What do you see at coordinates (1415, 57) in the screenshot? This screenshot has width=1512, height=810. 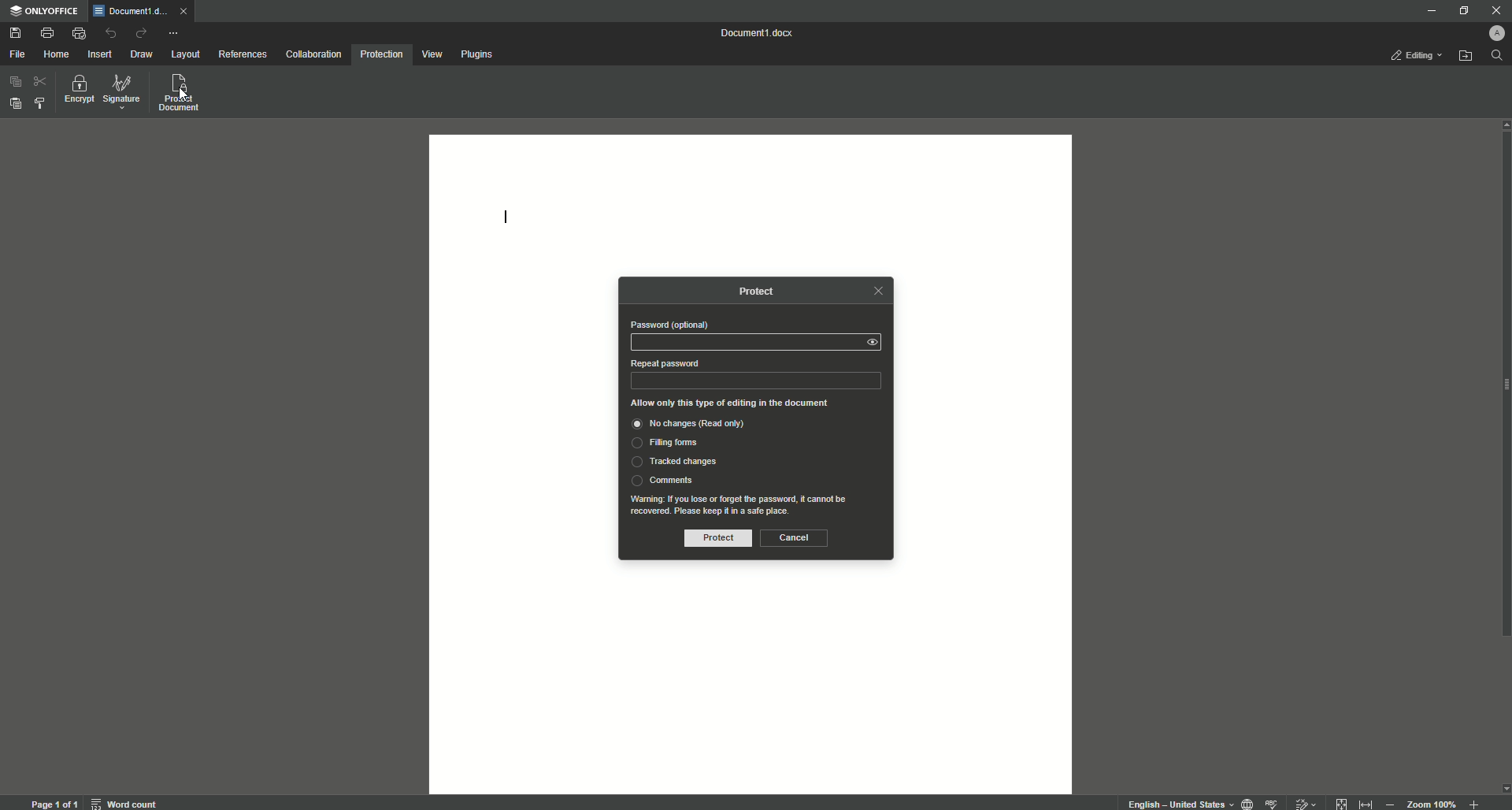 I see `Editing` at bounding box center [1415, 57].